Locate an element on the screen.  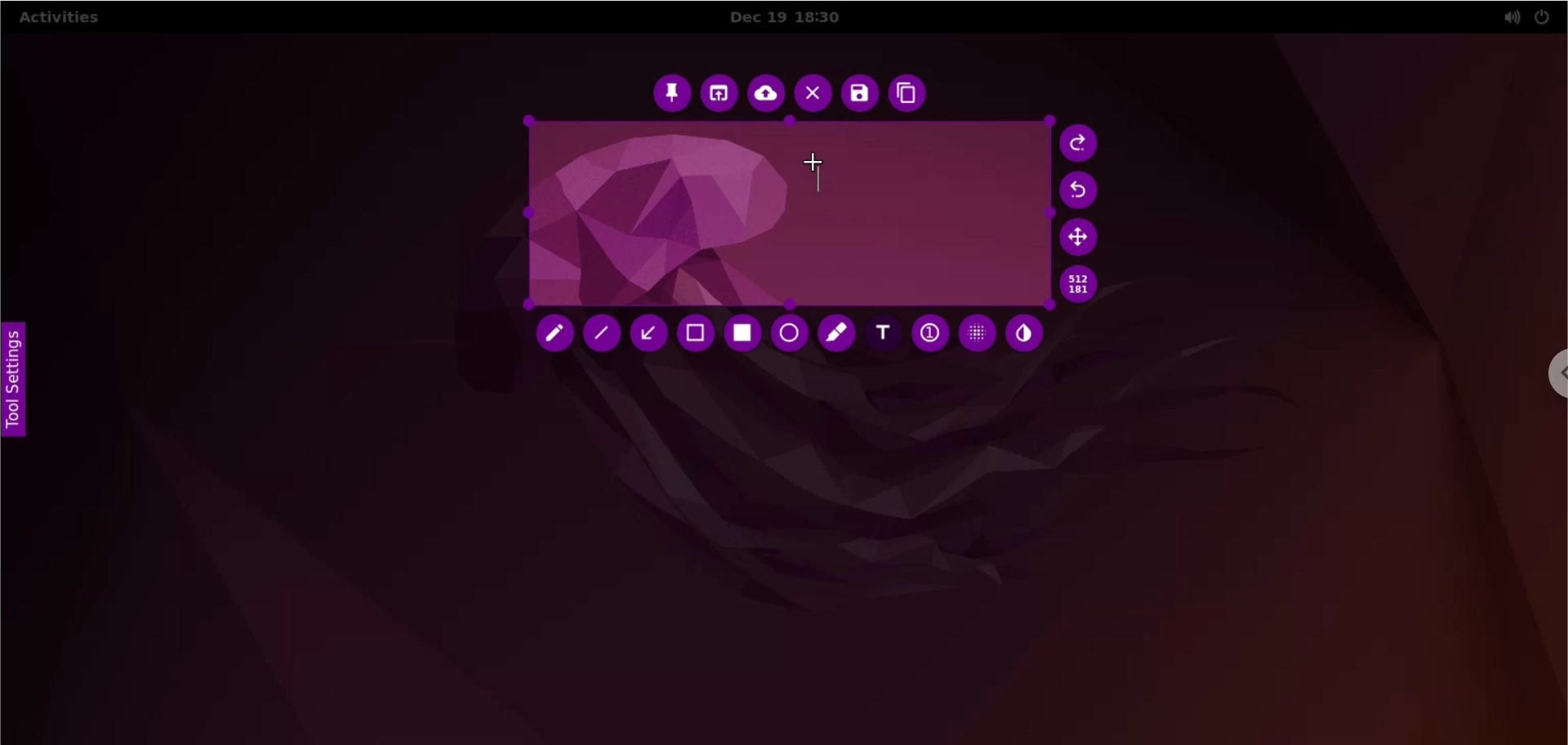
pin is located at coordinates (674, 95).